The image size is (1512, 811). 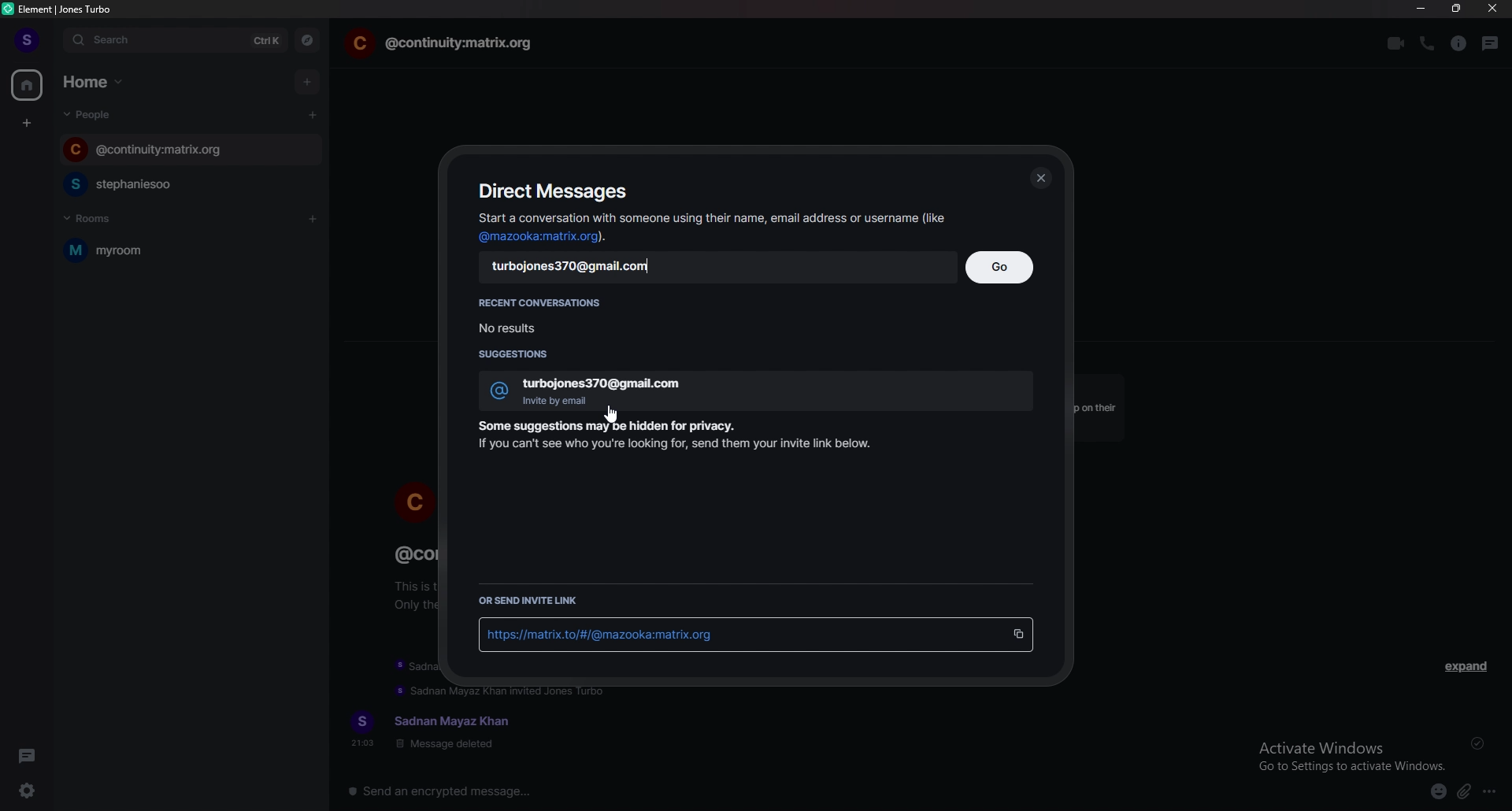 What do you see at coordinates (97, 81) in the screenshot?
I see `home` at bounding box center [97, 81].